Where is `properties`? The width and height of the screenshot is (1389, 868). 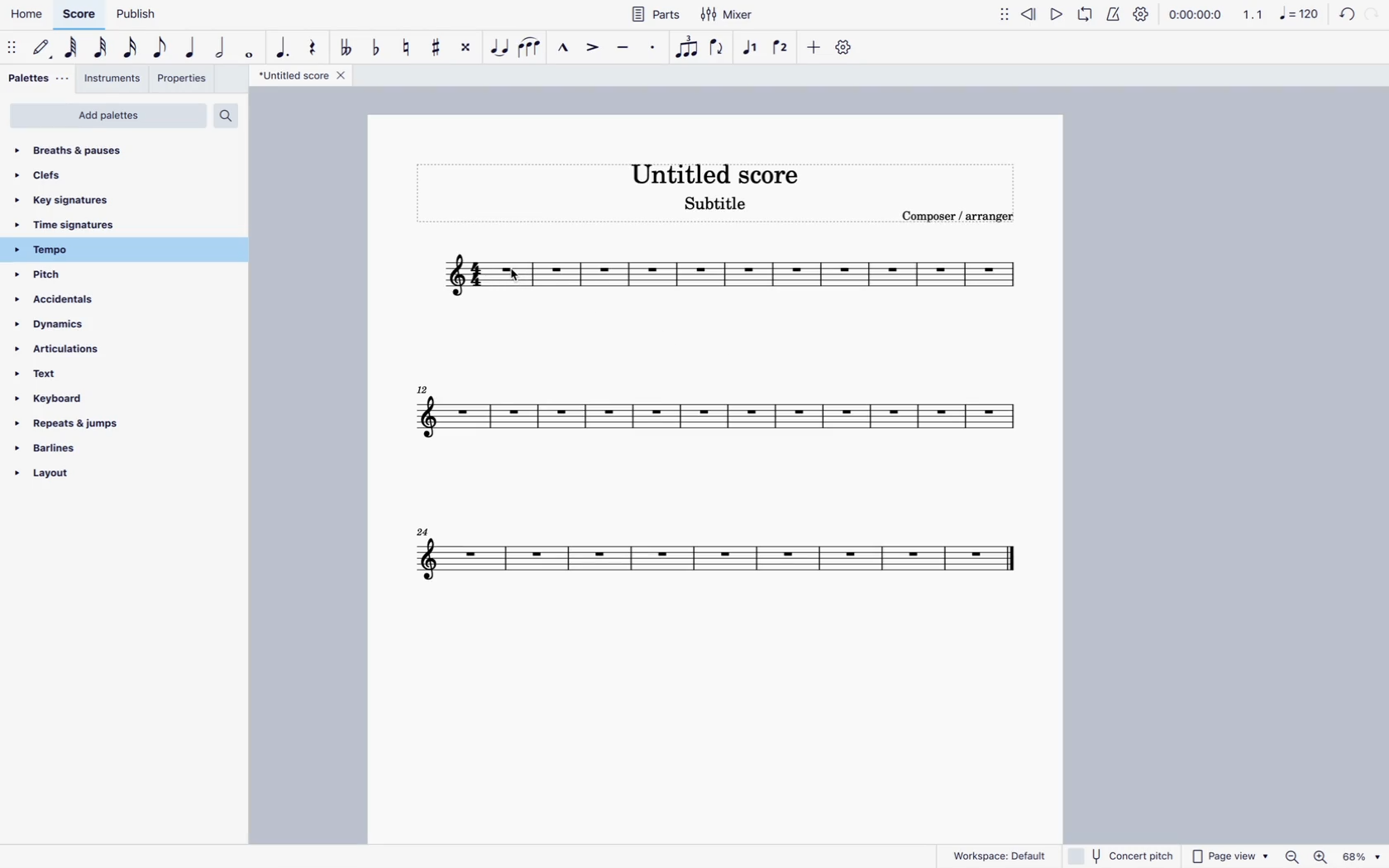 properties is located at coordinates (183, 78).